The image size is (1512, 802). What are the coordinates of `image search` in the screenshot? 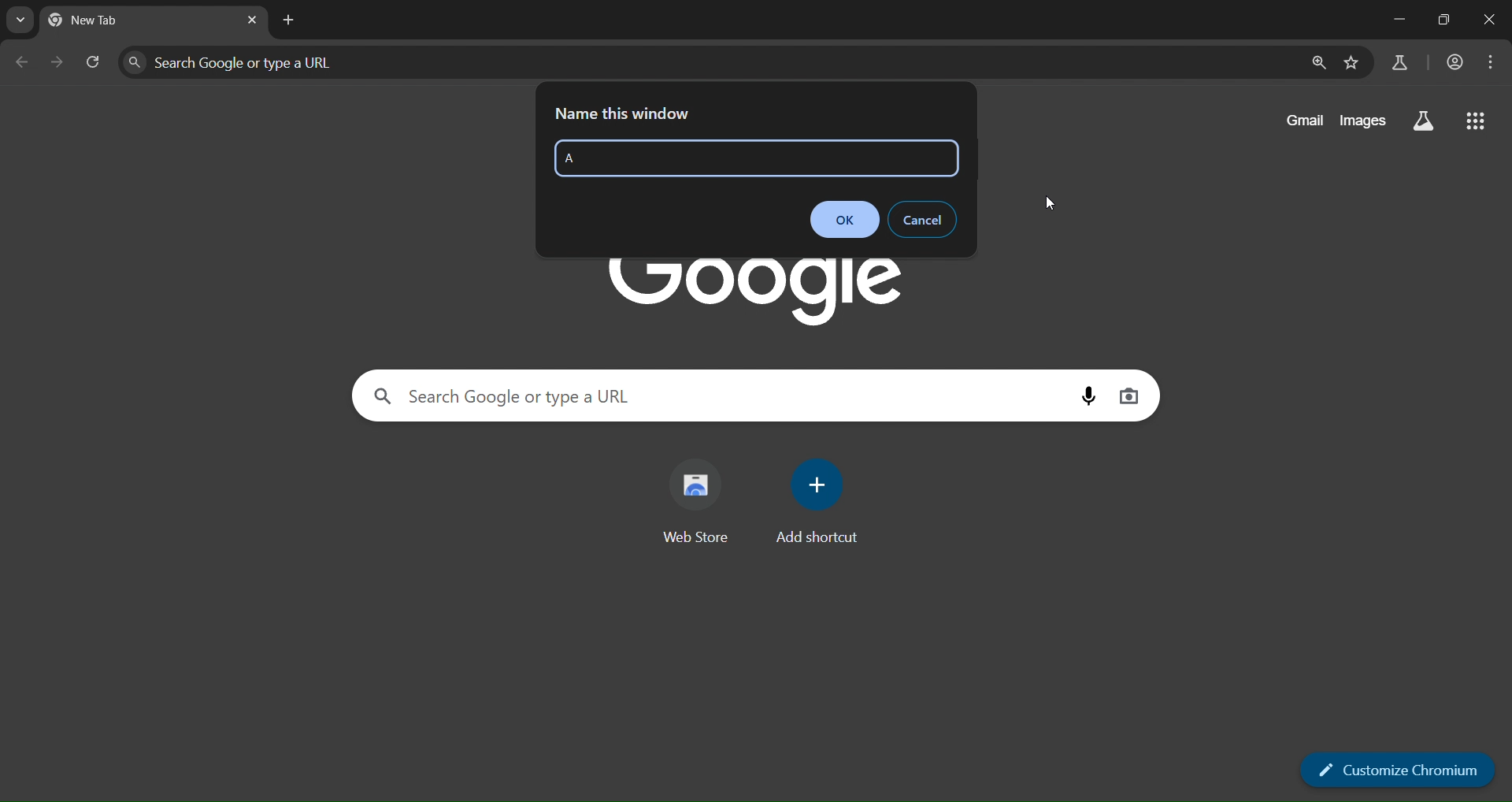 It's located at (1131, 395).